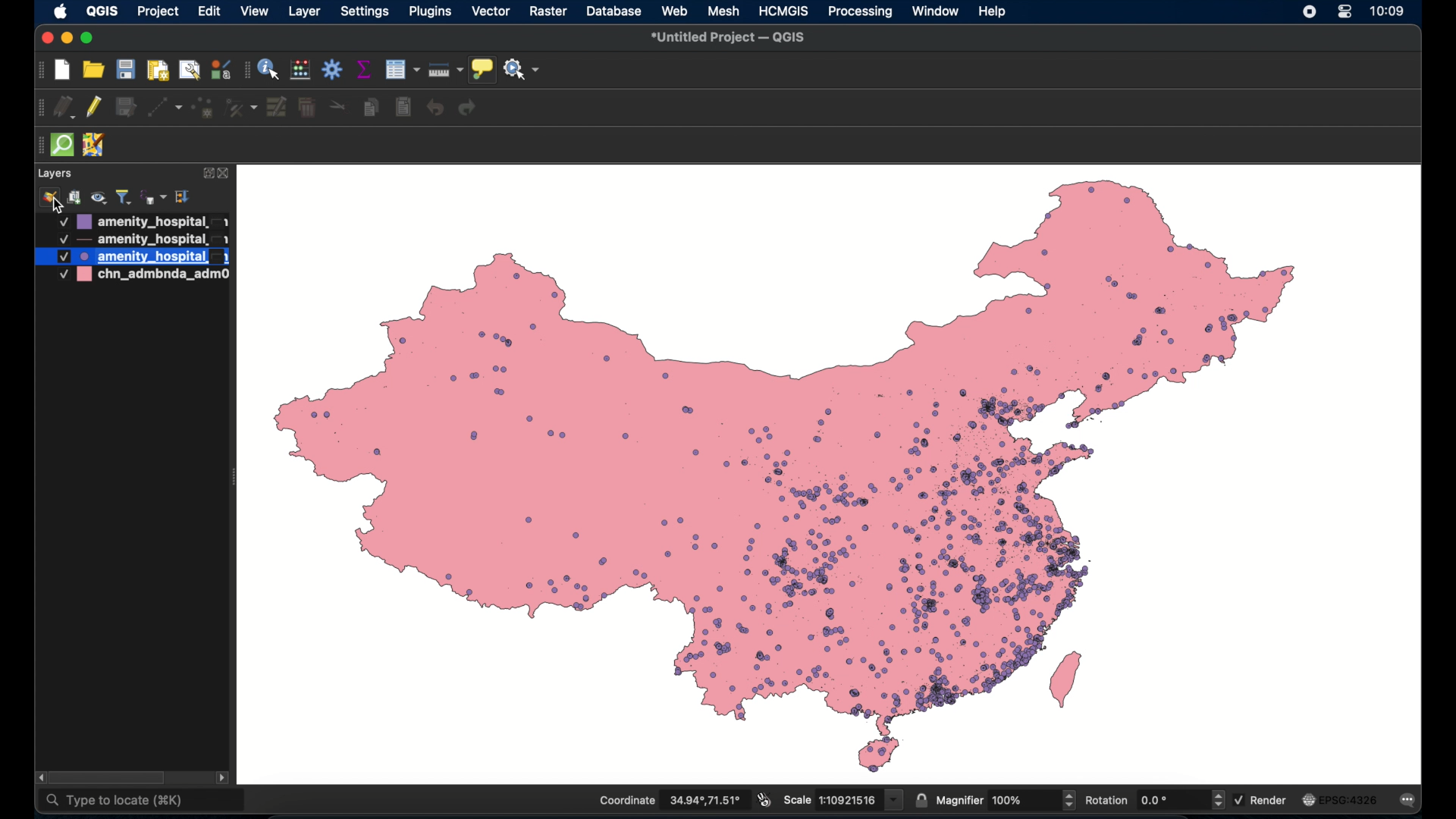  What do you see at coordinates (188, 71) in the screenshot?
I see `open layout manager` at bounding box center [188, 71].